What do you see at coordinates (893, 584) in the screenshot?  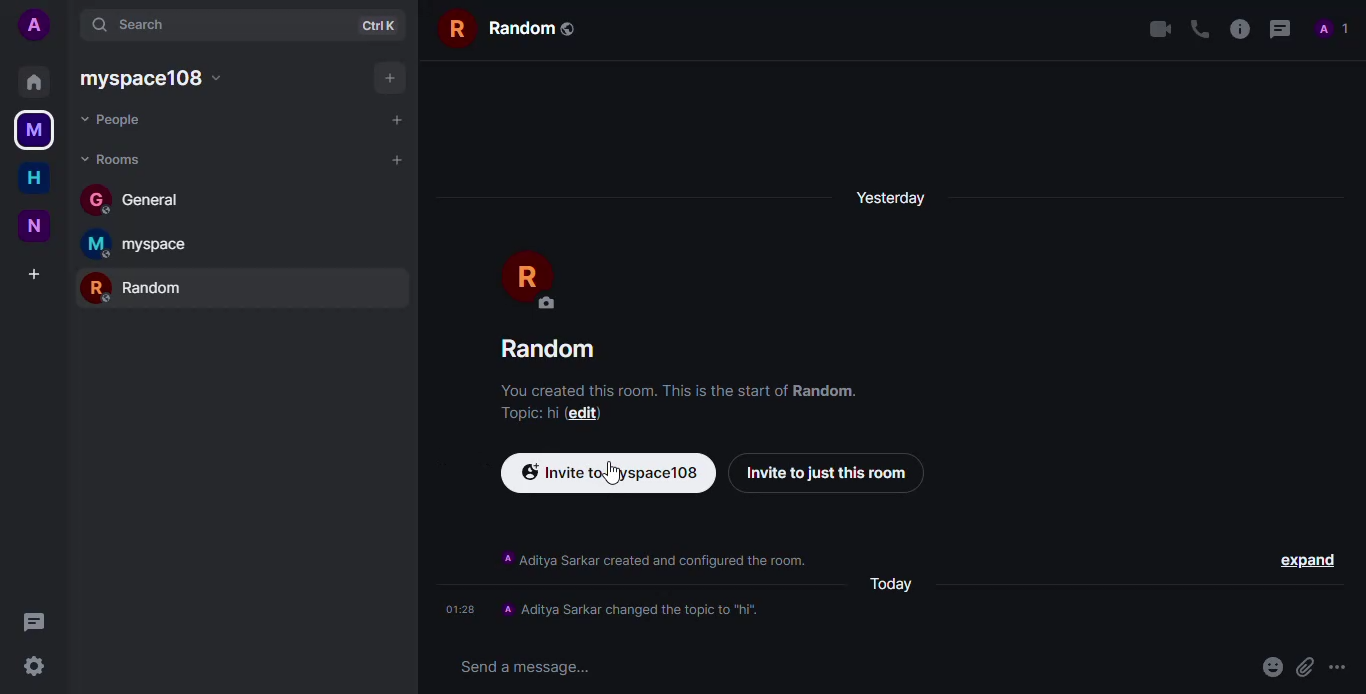 I see `today` at bounding box center [893, 584].